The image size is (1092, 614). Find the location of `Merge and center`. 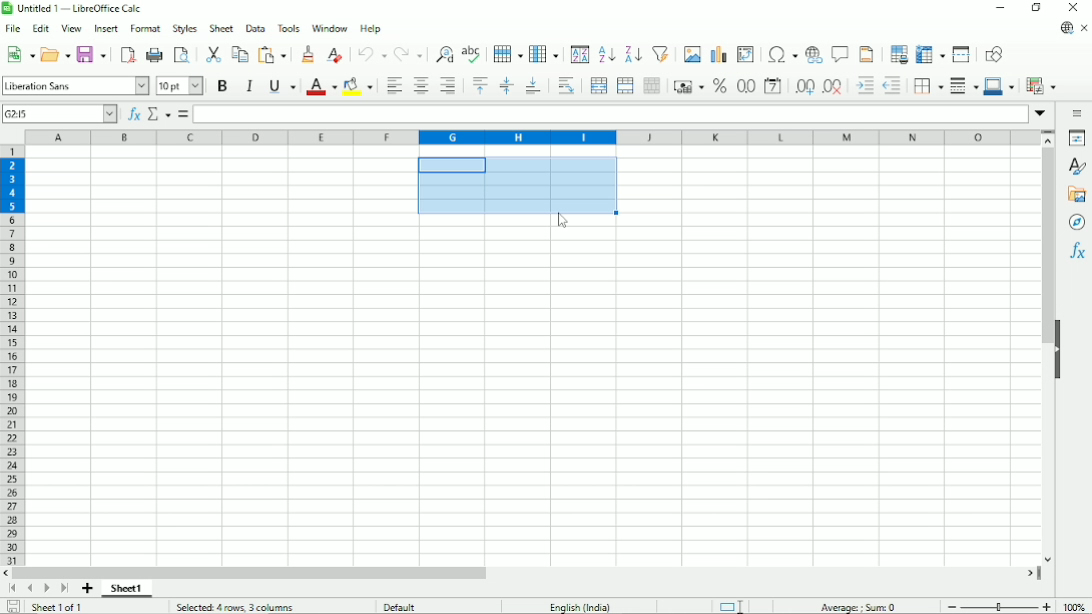

Merge and center is located at coordinates (599, 87).